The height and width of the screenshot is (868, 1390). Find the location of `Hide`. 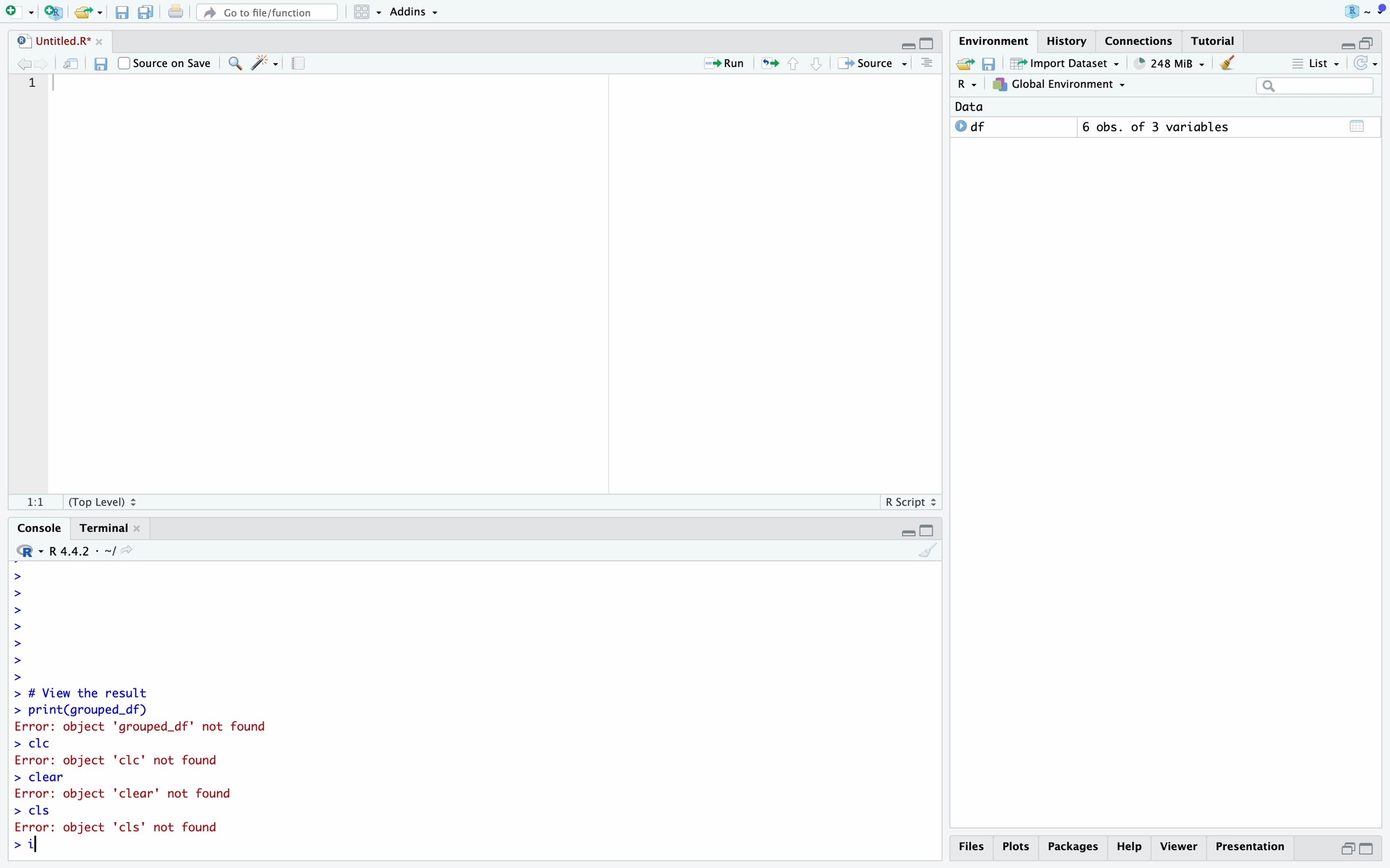

Hide is located at coordinates (1347, 42).